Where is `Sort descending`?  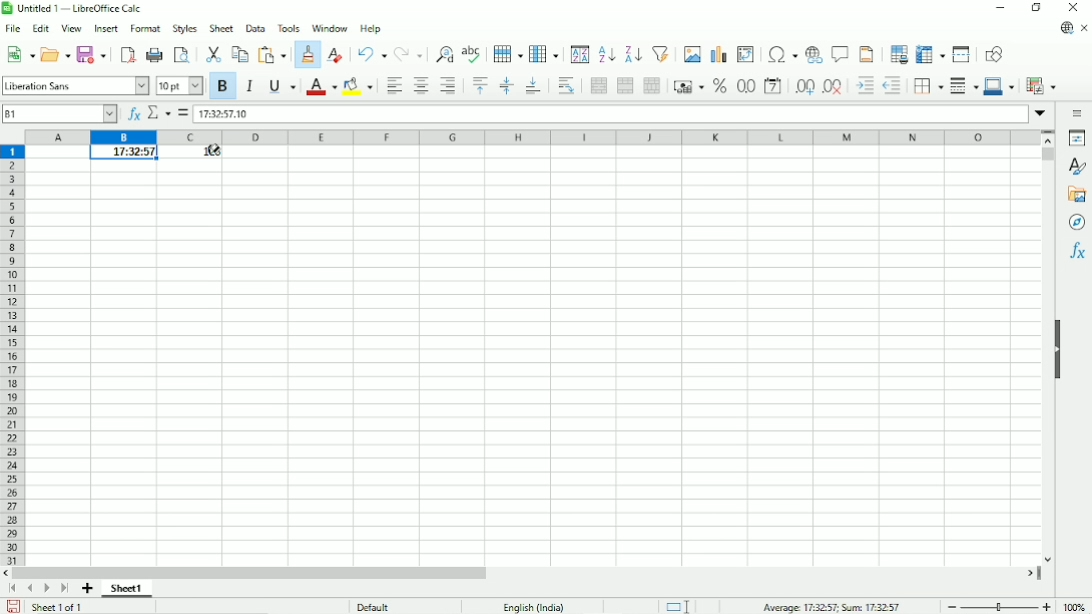 Sort descending is located at coordinates (634, 53).